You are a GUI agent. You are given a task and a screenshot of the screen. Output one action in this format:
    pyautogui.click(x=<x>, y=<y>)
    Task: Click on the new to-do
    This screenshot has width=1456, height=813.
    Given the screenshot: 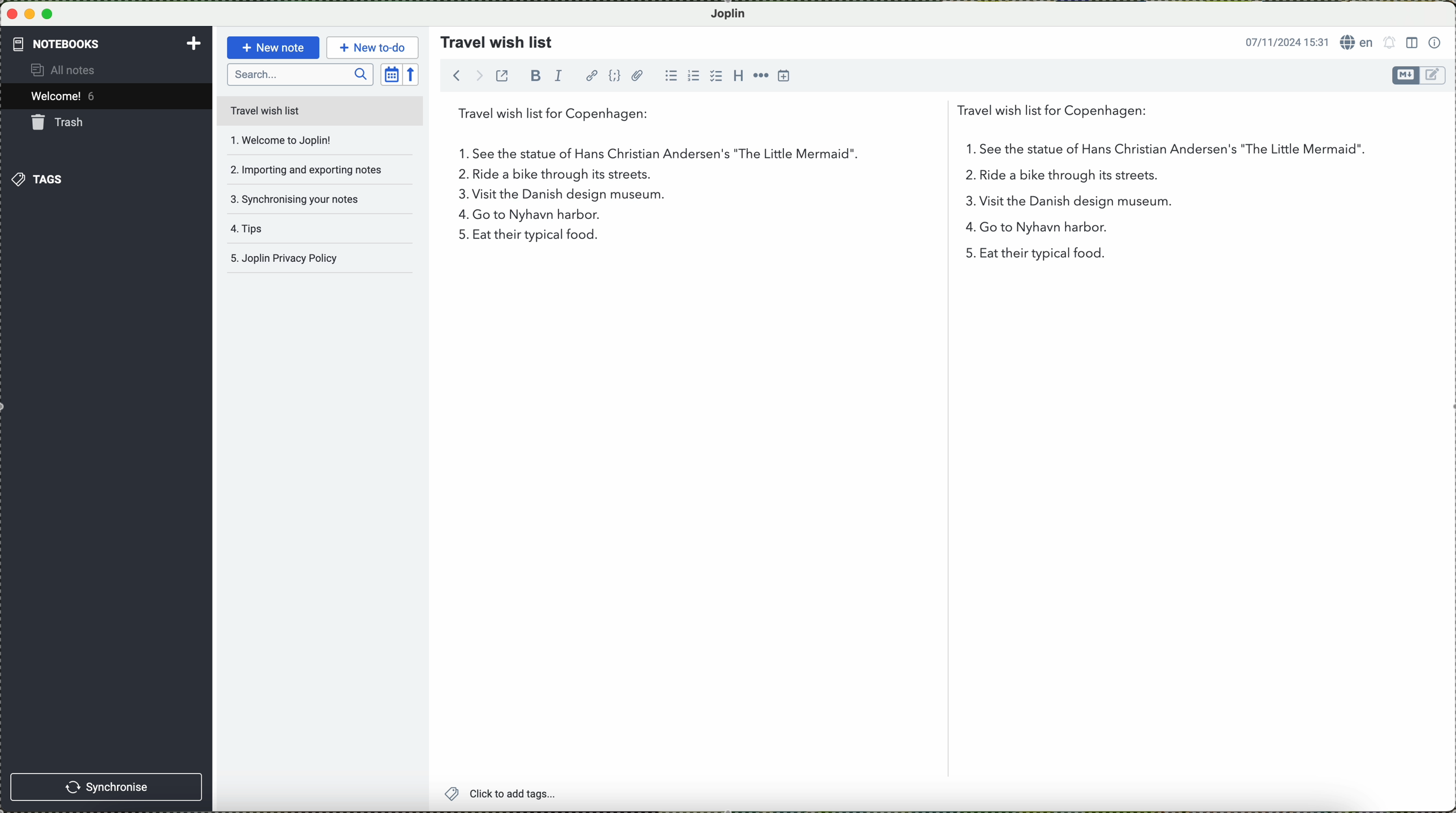 What is the action you would take?
    pyautogui.click(x=372, y=46)
    